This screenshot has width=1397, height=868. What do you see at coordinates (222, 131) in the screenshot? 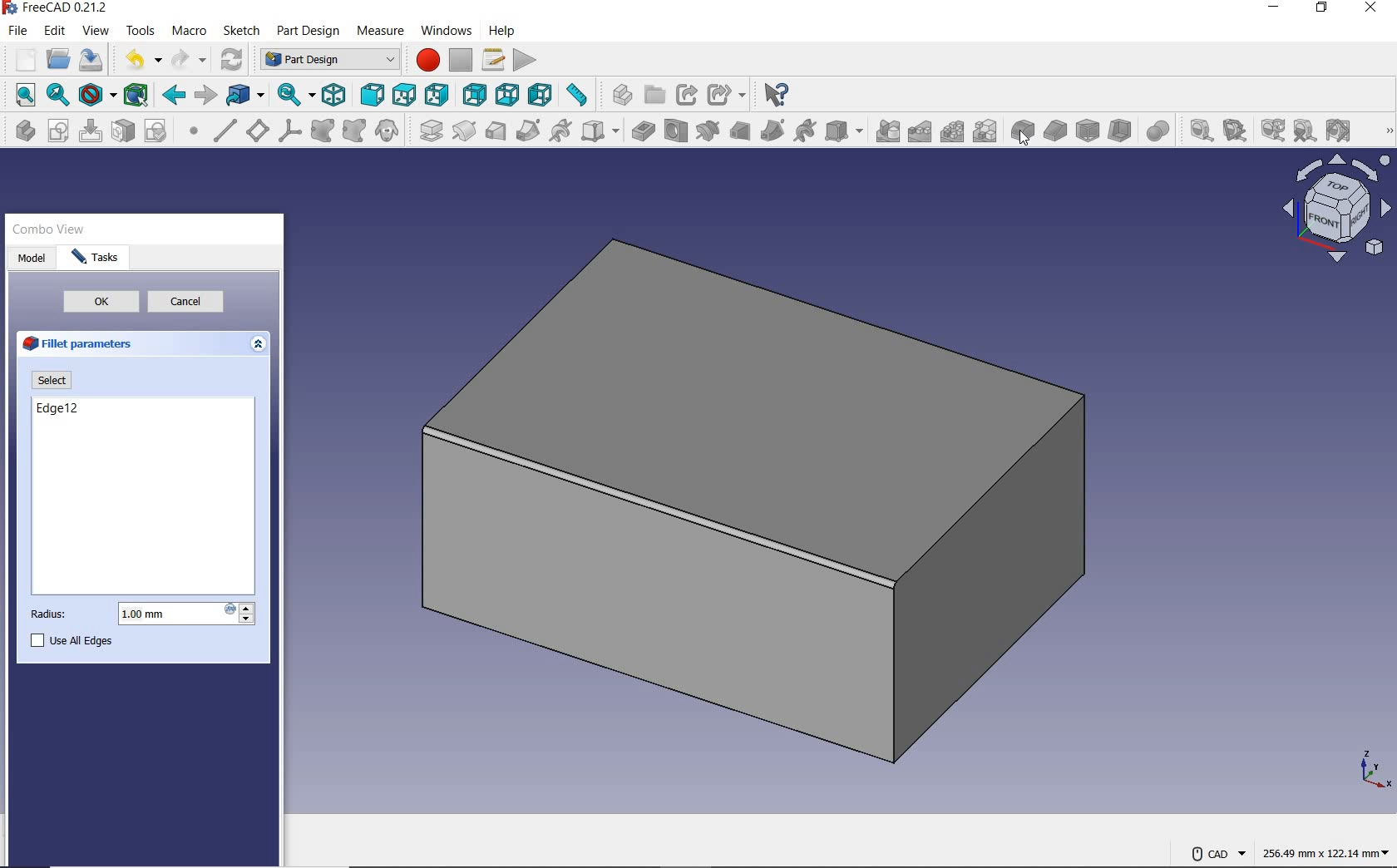
I see `create a datum line` at bounding box center [222, 131].